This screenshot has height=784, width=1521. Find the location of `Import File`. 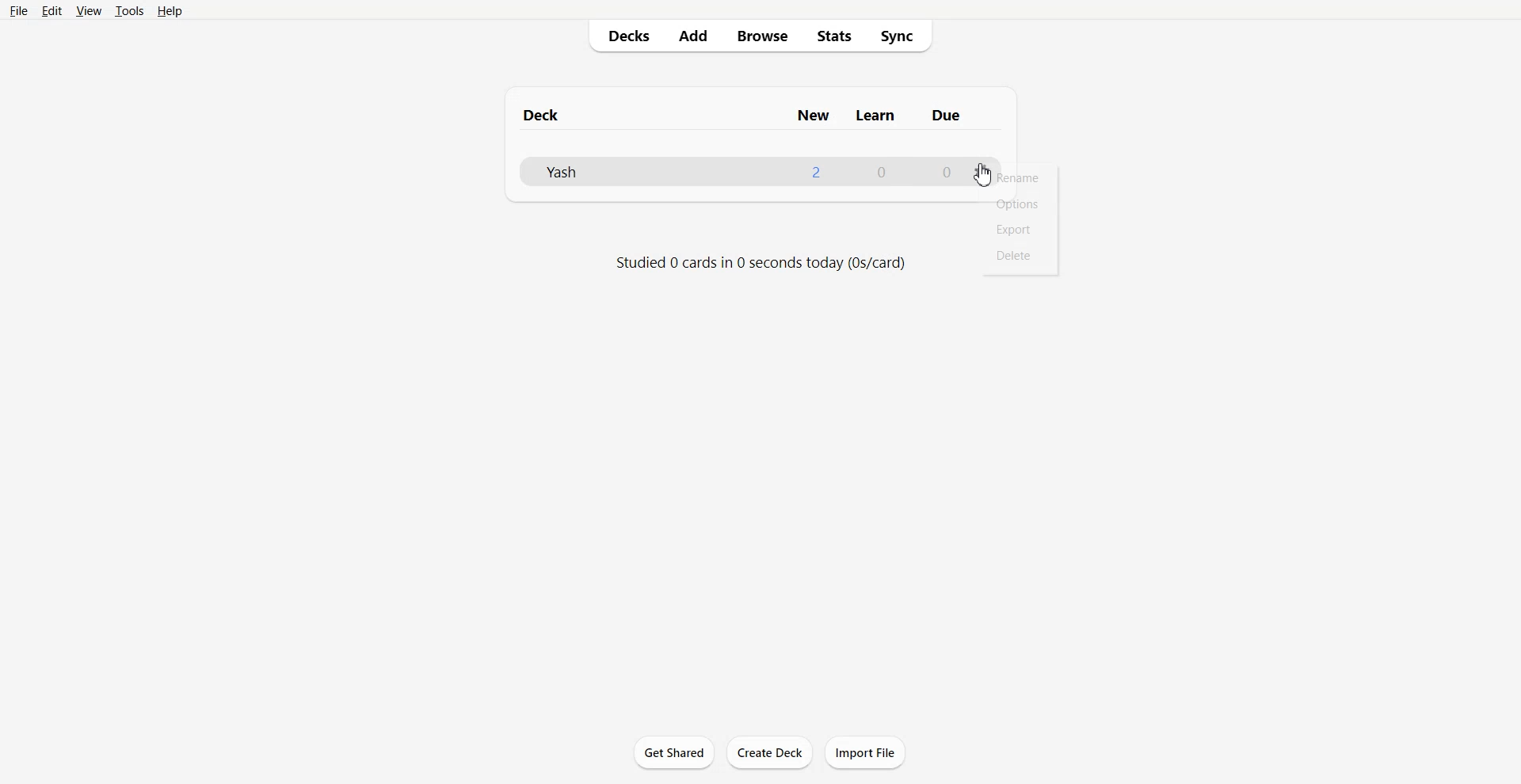

Import File is located at coordinates (866, 752).